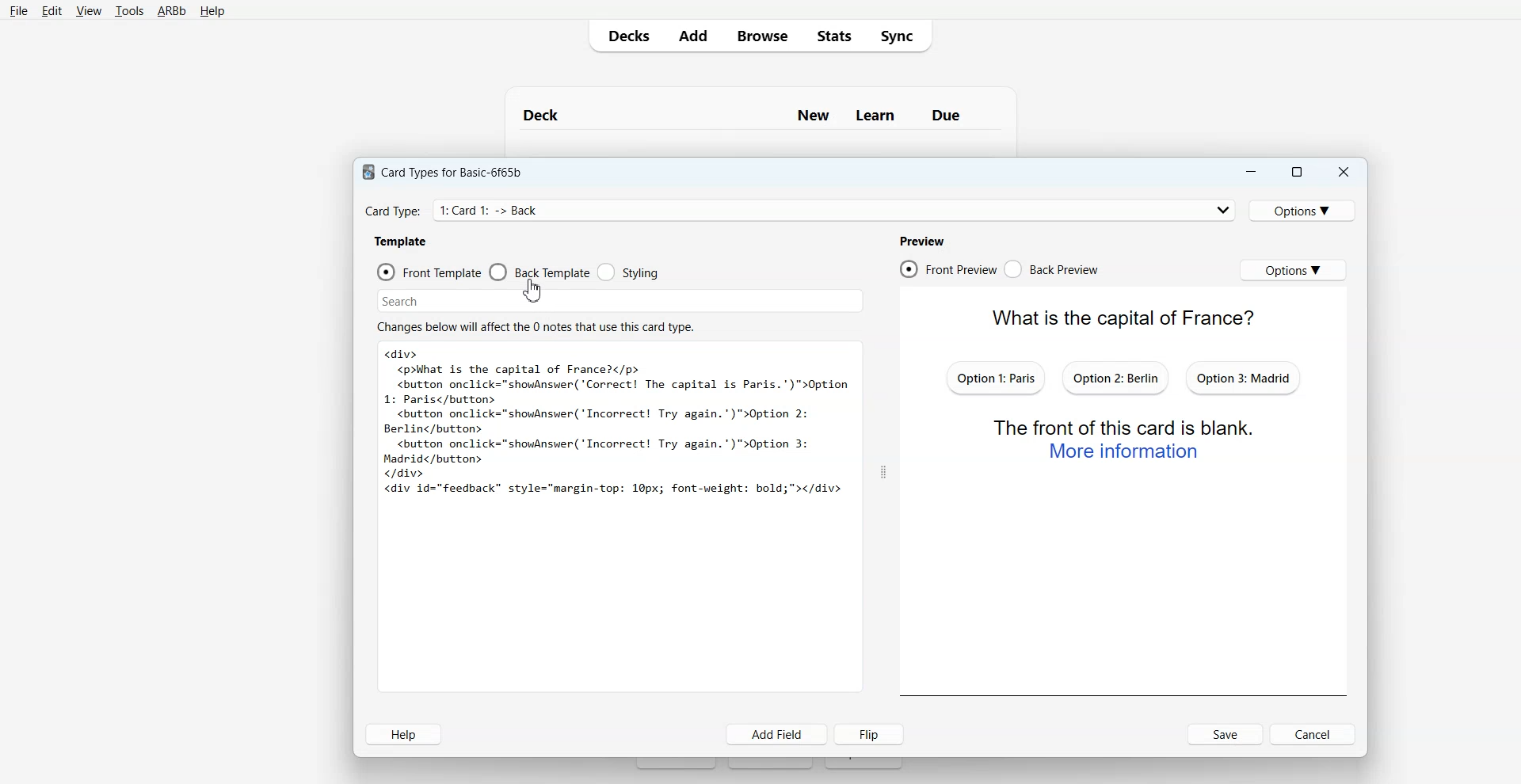  I want to click on Front Template, so click(429, 271).